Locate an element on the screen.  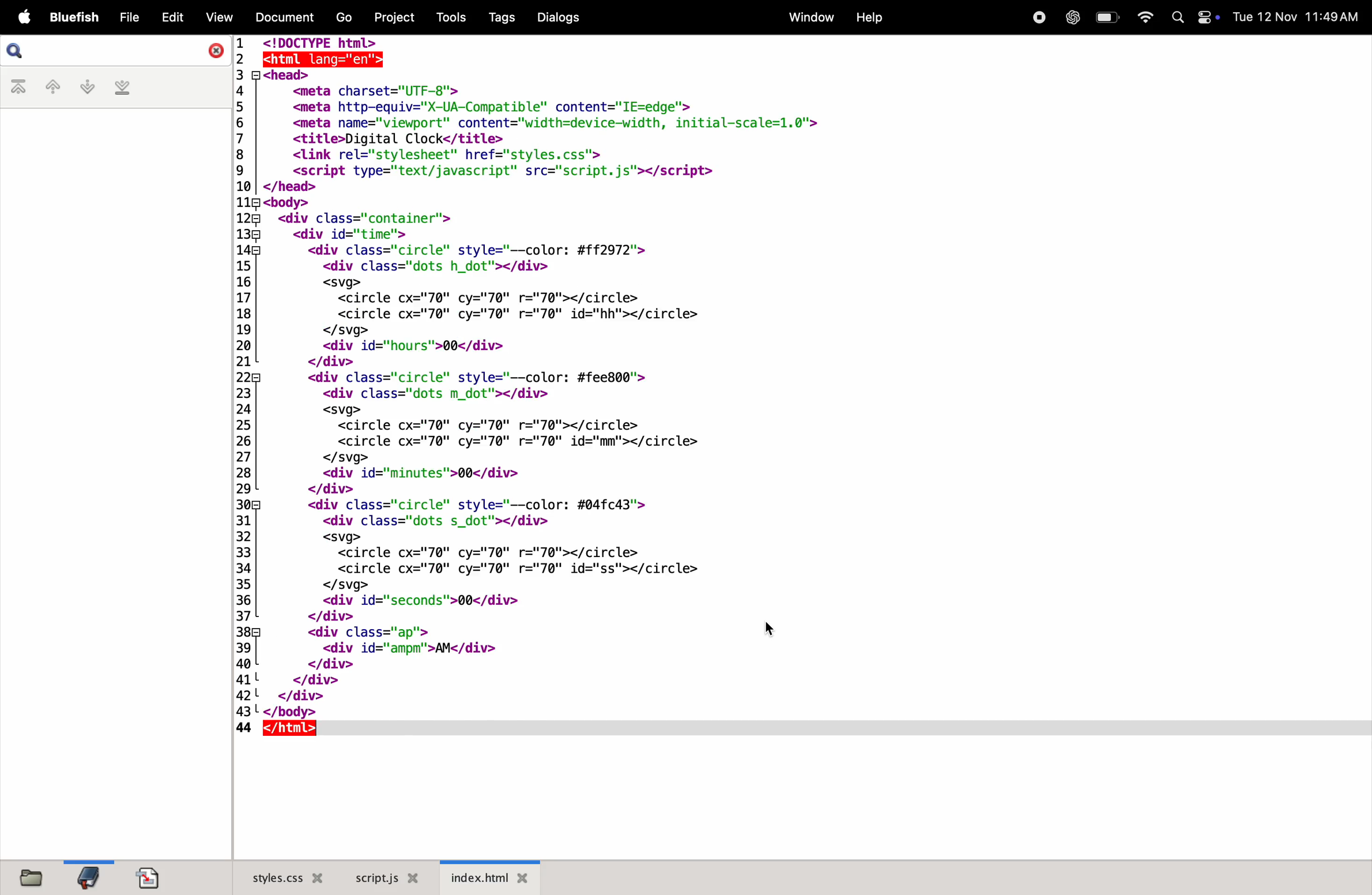
index.html is located at coordinates (489, 876).